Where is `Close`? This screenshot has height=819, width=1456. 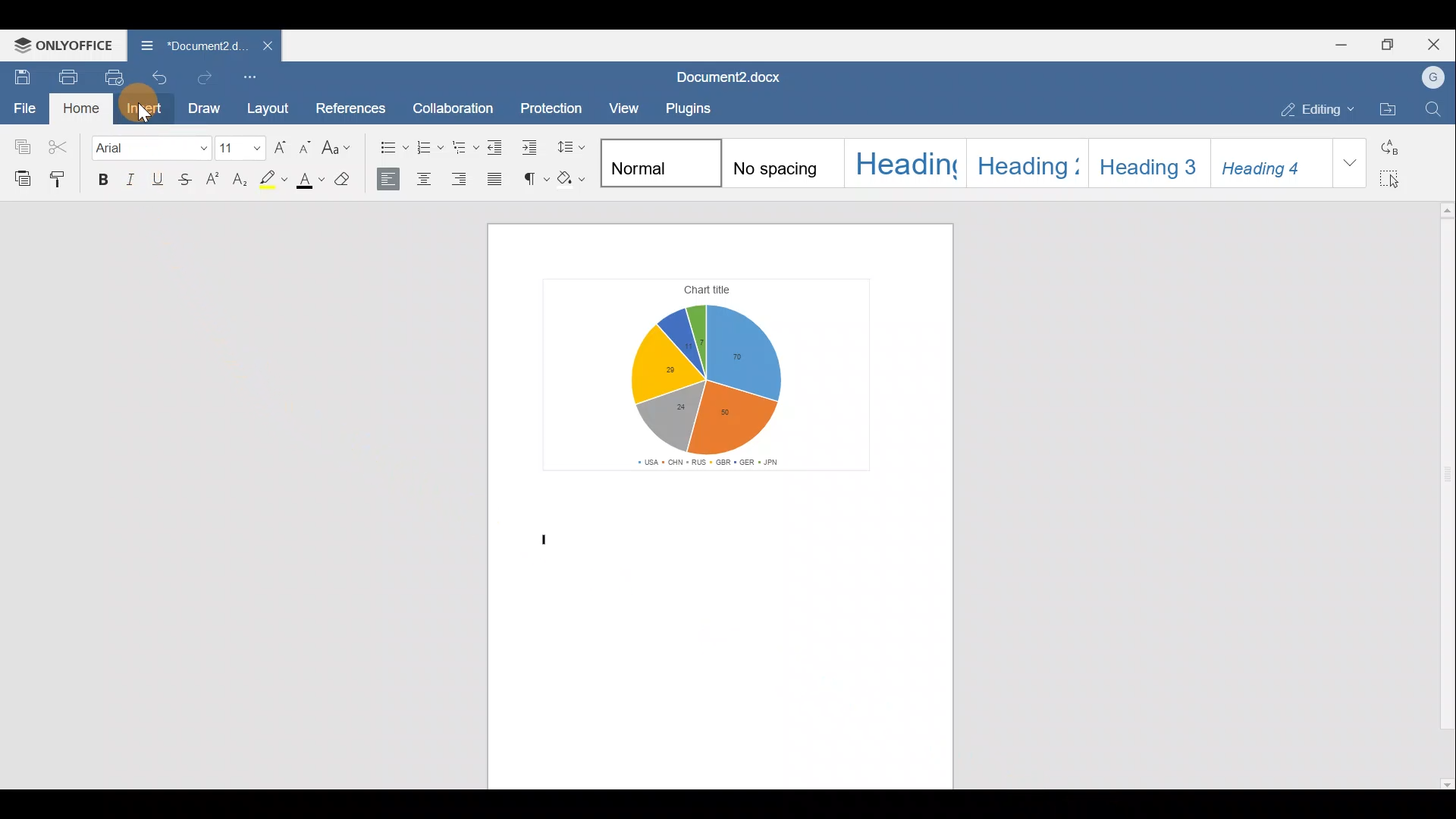
Close is located at coordinates (1436, 42).